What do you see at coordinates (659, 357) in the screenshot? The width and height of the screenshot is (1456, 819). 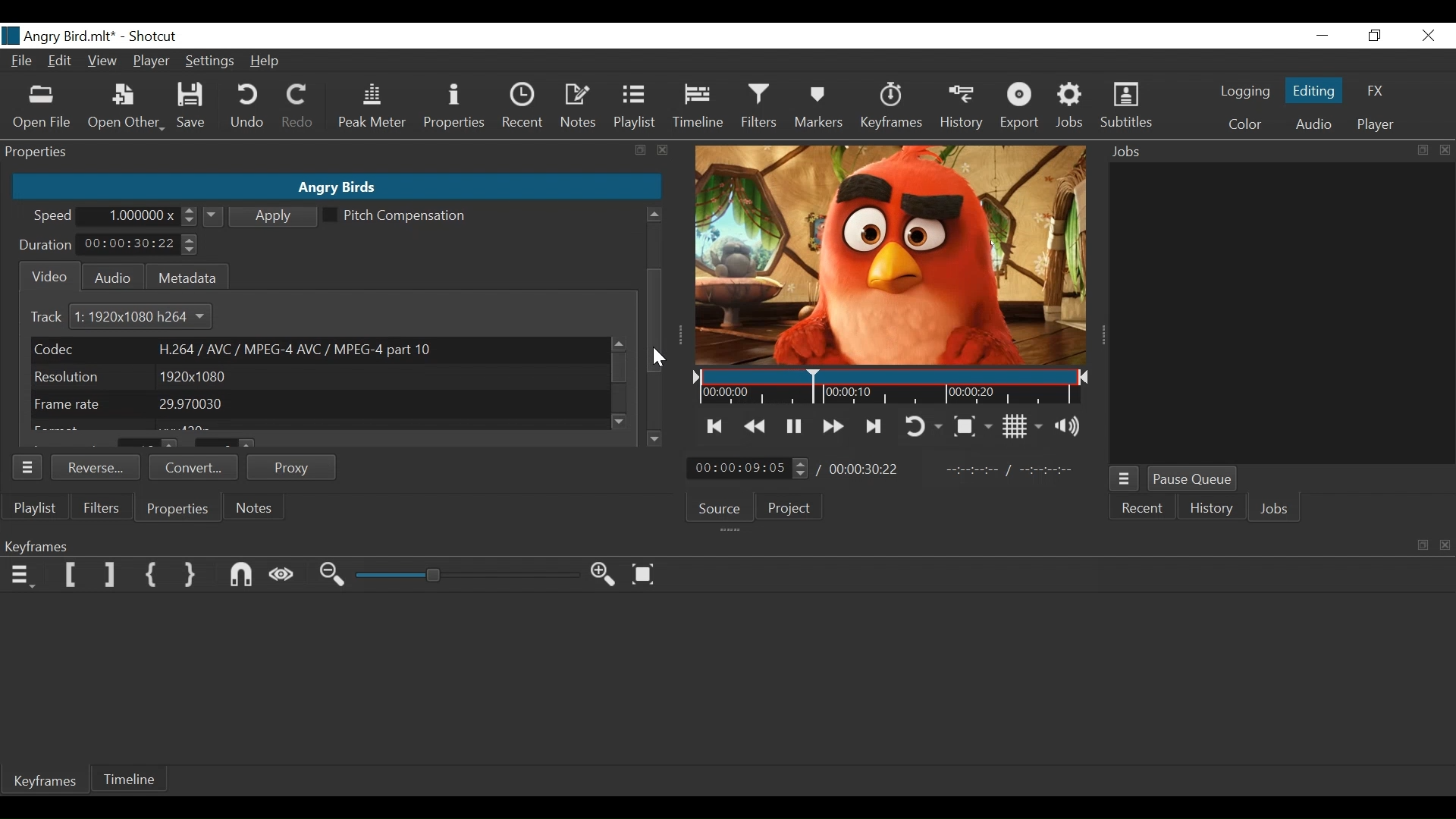 I see `Cursor` at bounding box center [659, 357].